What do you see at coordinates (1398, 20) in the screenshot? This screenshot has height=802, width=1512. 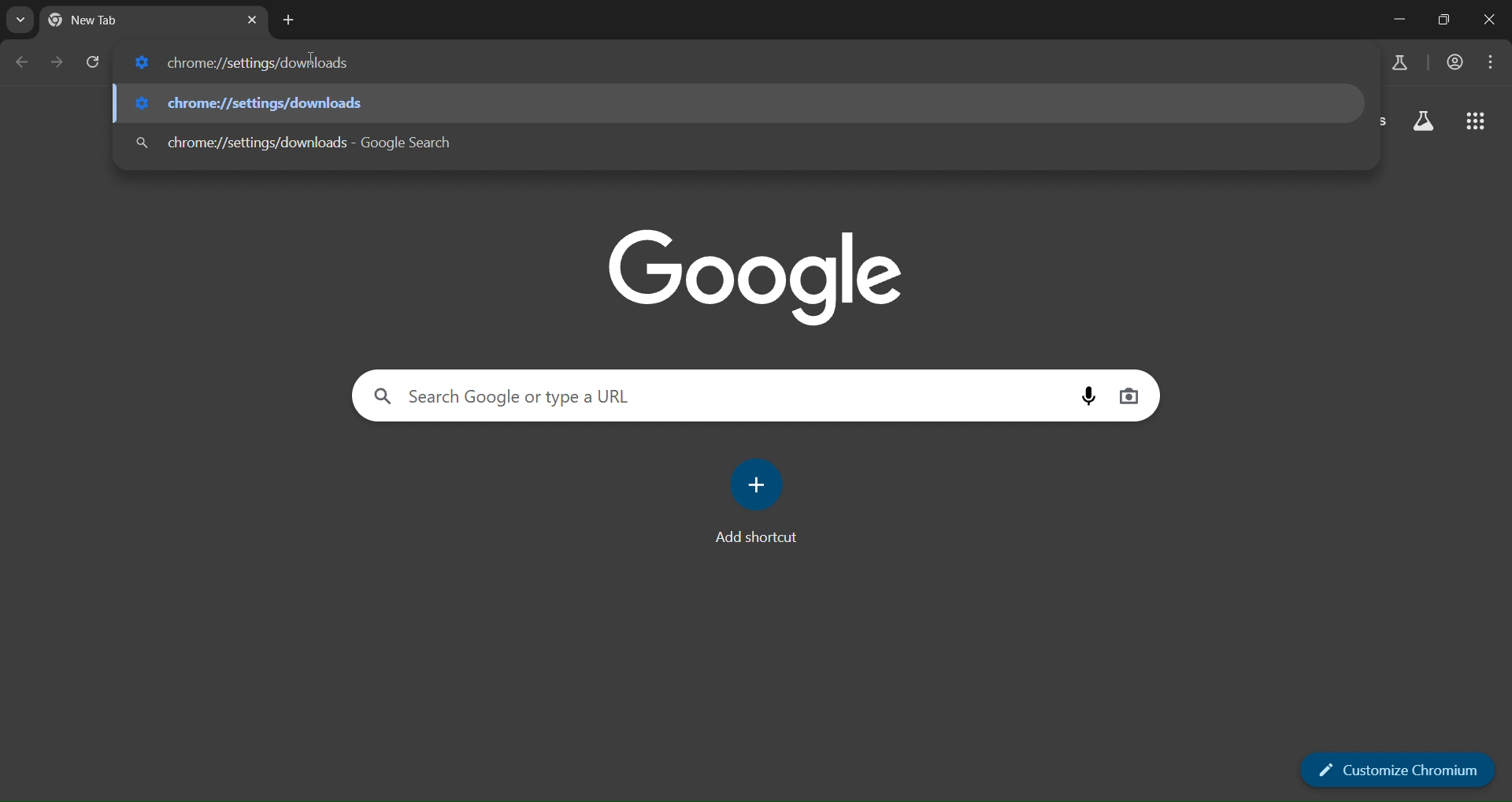 I see `minimize` at bounding box center [1398, 20].